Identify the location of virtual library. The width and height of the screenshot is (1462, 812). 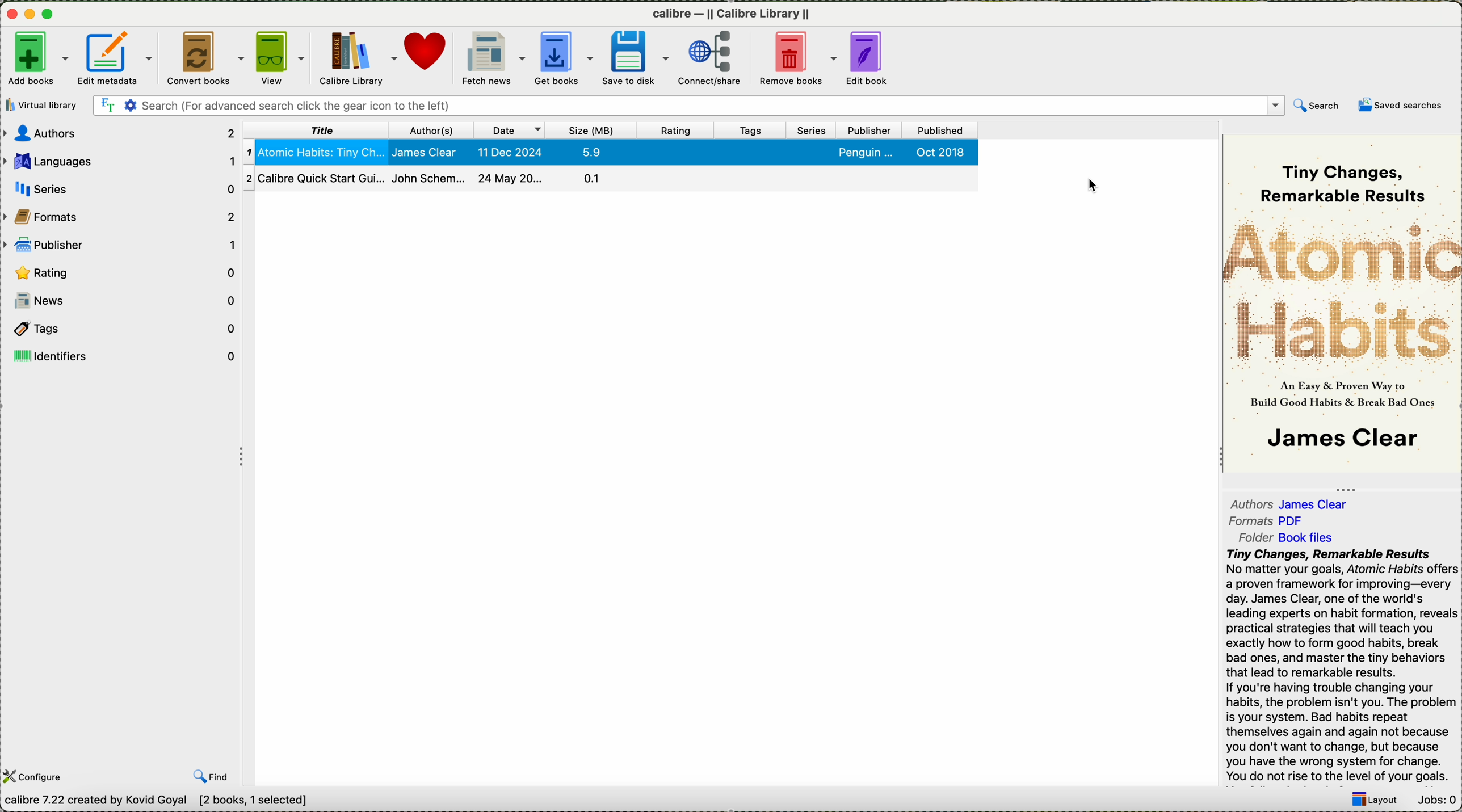
(42, 106).